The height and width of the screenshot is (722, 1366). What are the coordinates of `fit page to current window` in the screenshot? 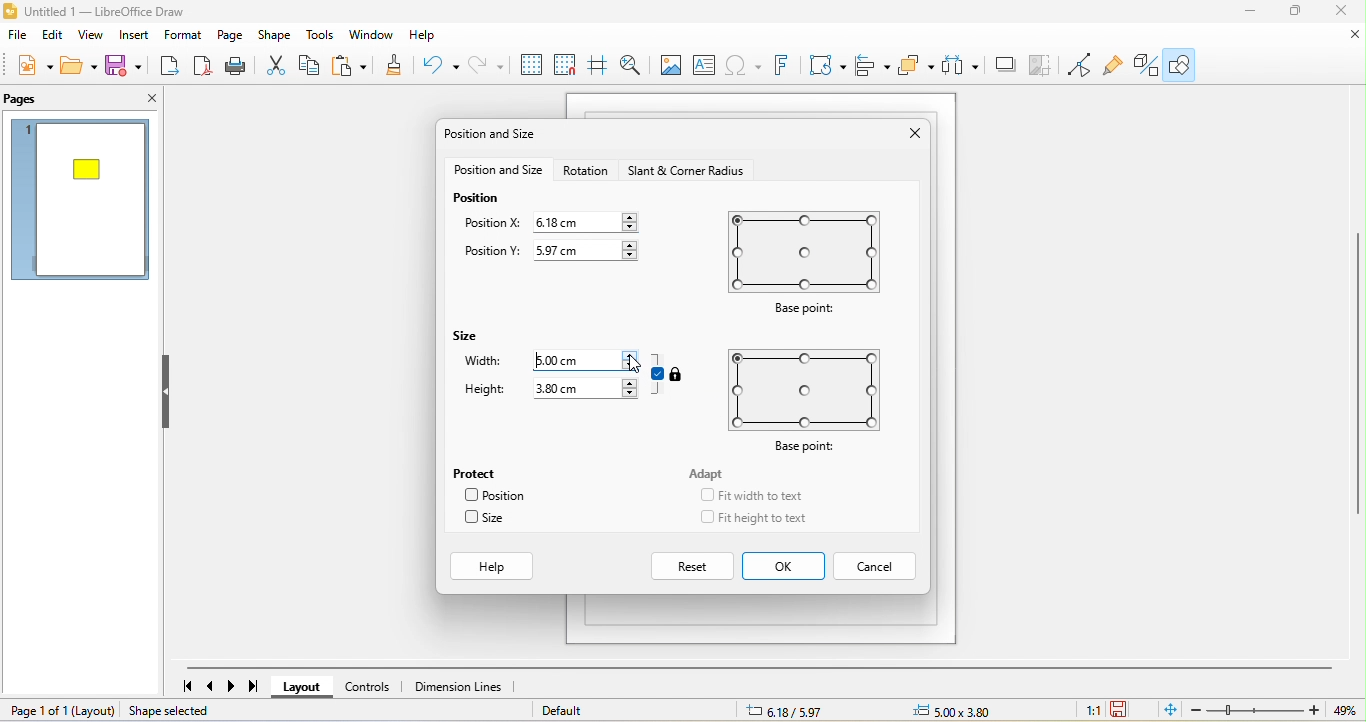 It's located at (1168, 710).